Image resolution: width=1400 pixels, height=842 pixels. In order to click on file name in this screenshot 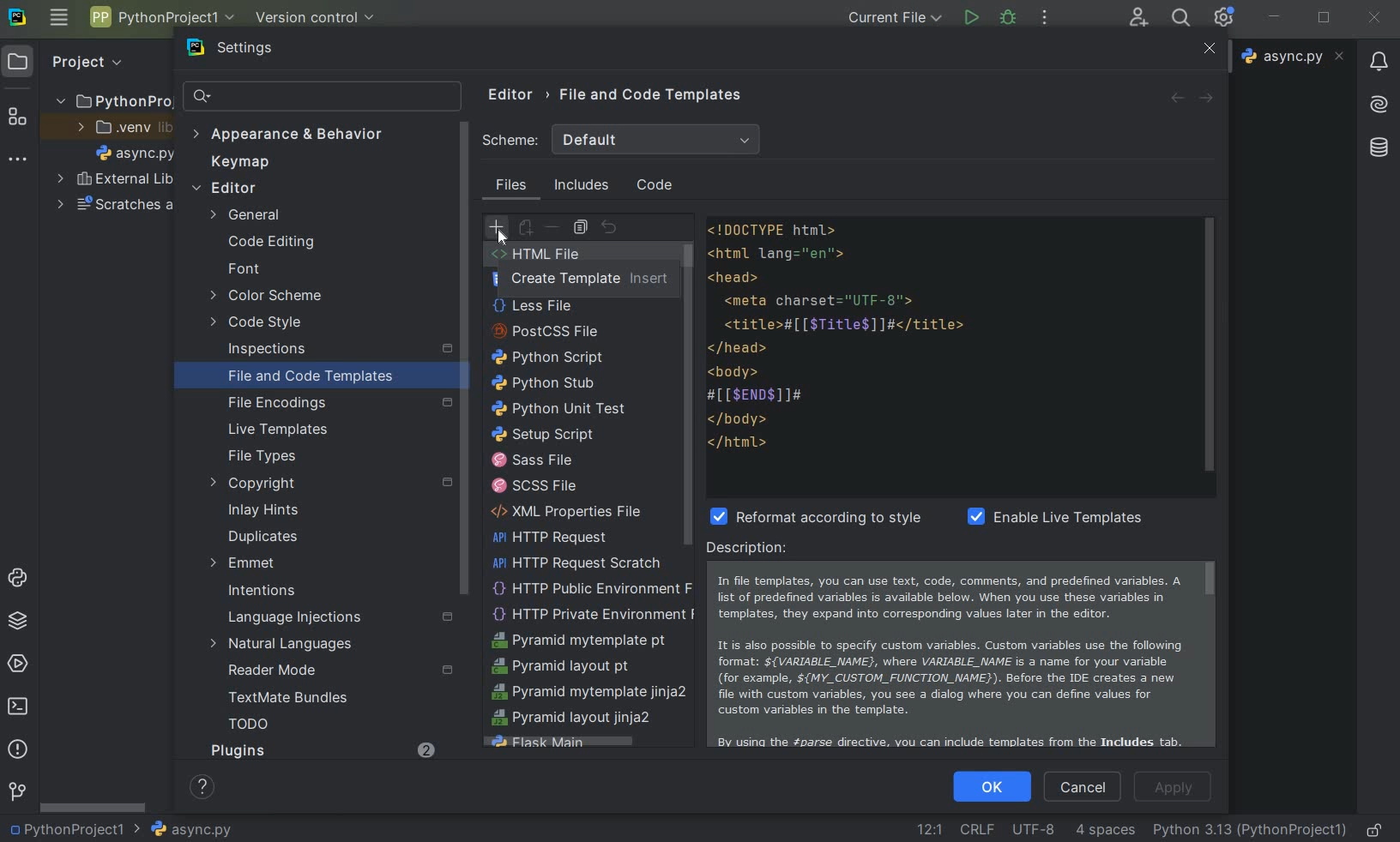, I will do `click(1294, 57)`.